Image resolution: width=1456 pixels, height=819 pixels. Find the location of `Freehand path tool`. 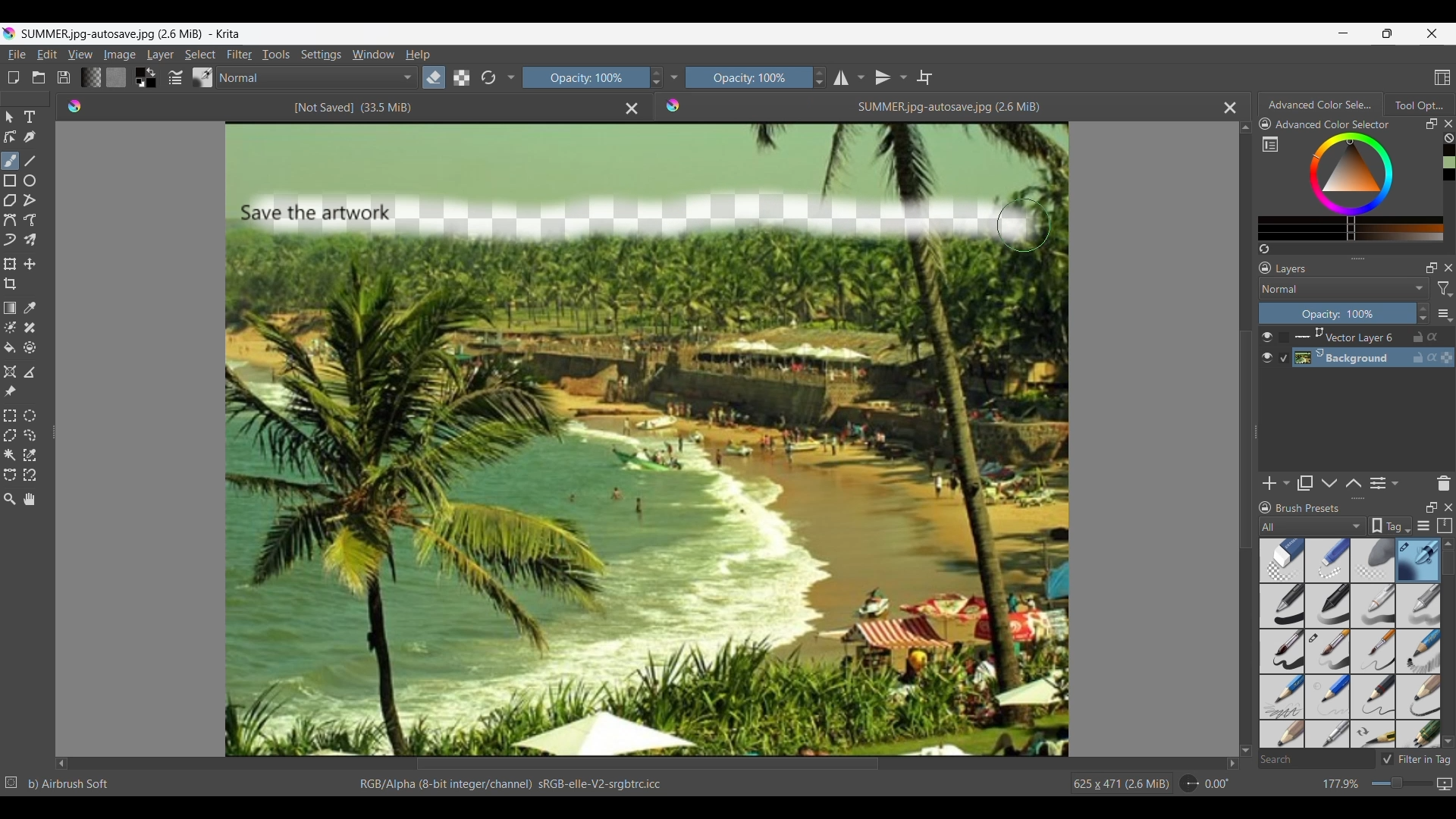

Freehand path tool is located at coordinates (30, 219).